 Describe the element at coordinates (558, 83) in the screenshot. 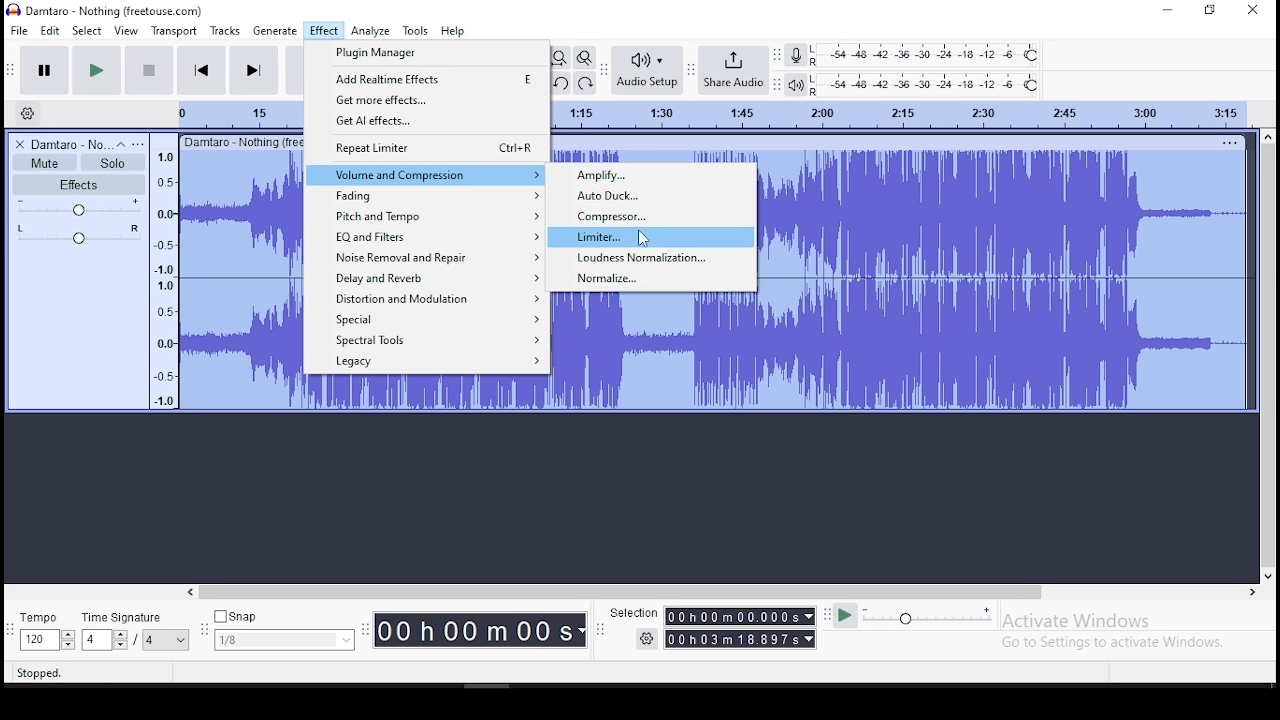

I see `undo` at that location.